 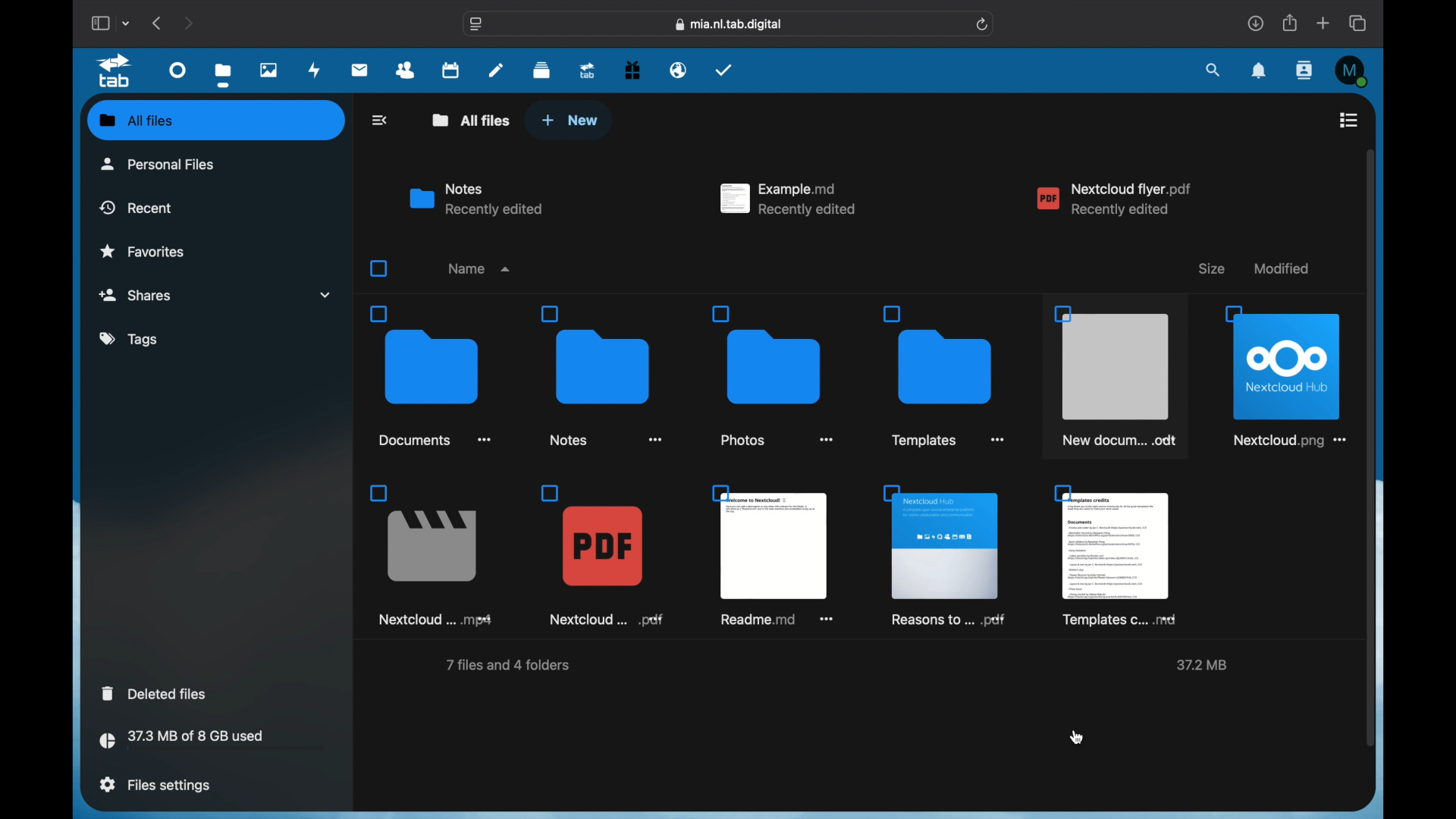 What do you see at coordinates (1287, 375) in the screenshot?
I see `file` at bounding box center [1287, 375].